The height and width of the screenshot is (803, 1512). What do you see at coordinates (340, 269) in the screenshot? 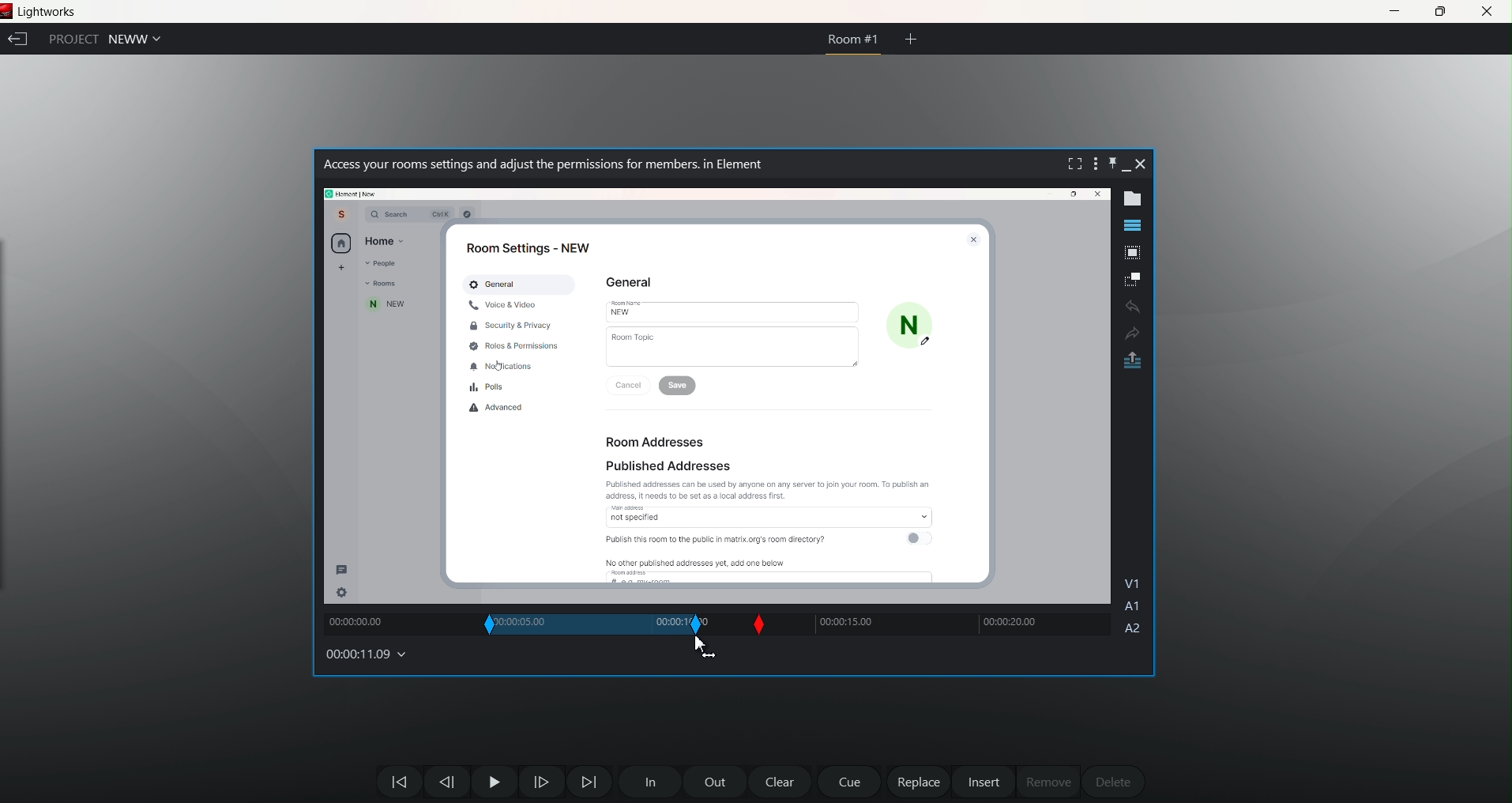
I see `add new` at bounding box center [340, 269].